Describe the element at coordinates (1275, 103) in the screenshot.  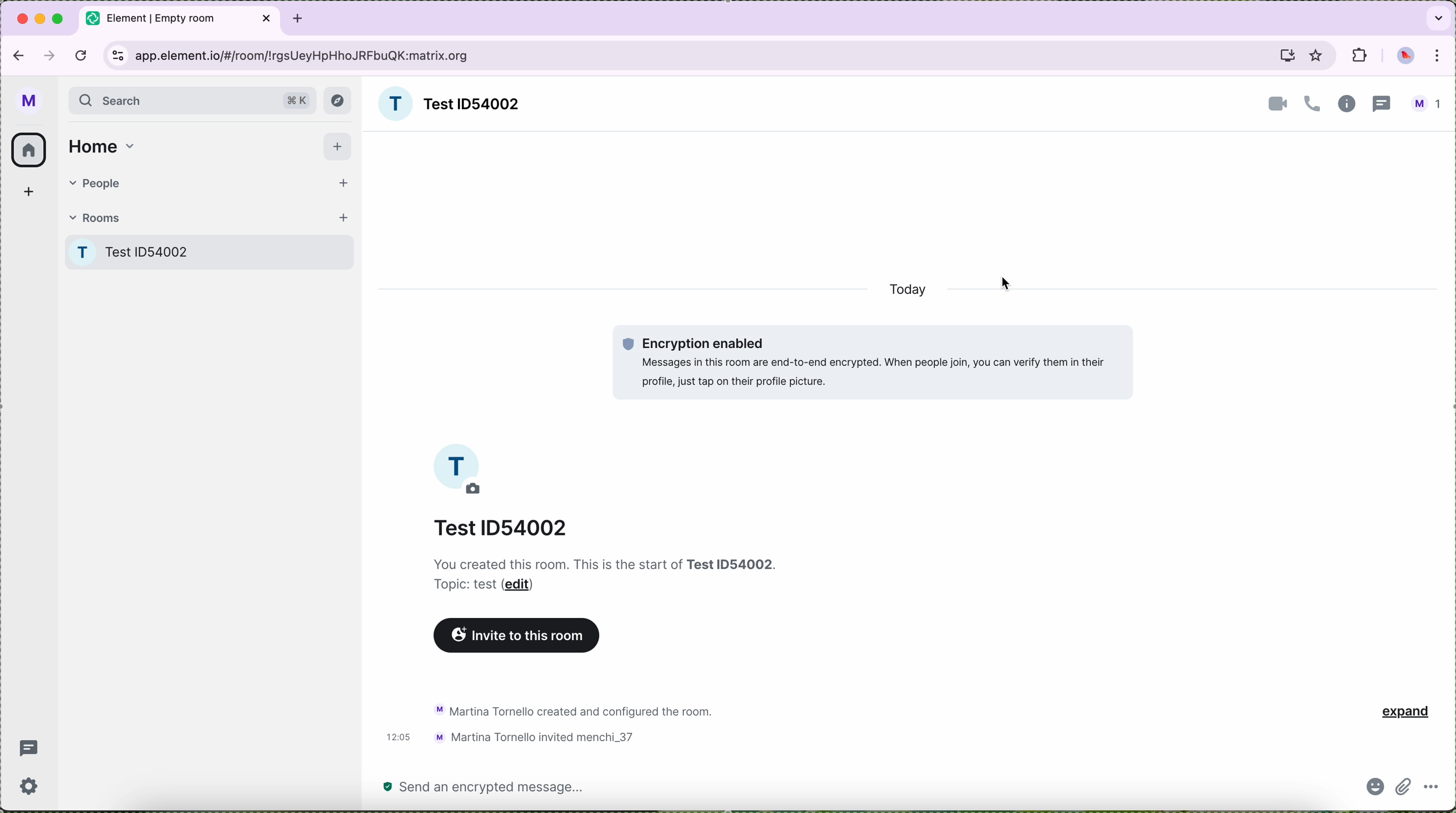
I see `video call` at that location.